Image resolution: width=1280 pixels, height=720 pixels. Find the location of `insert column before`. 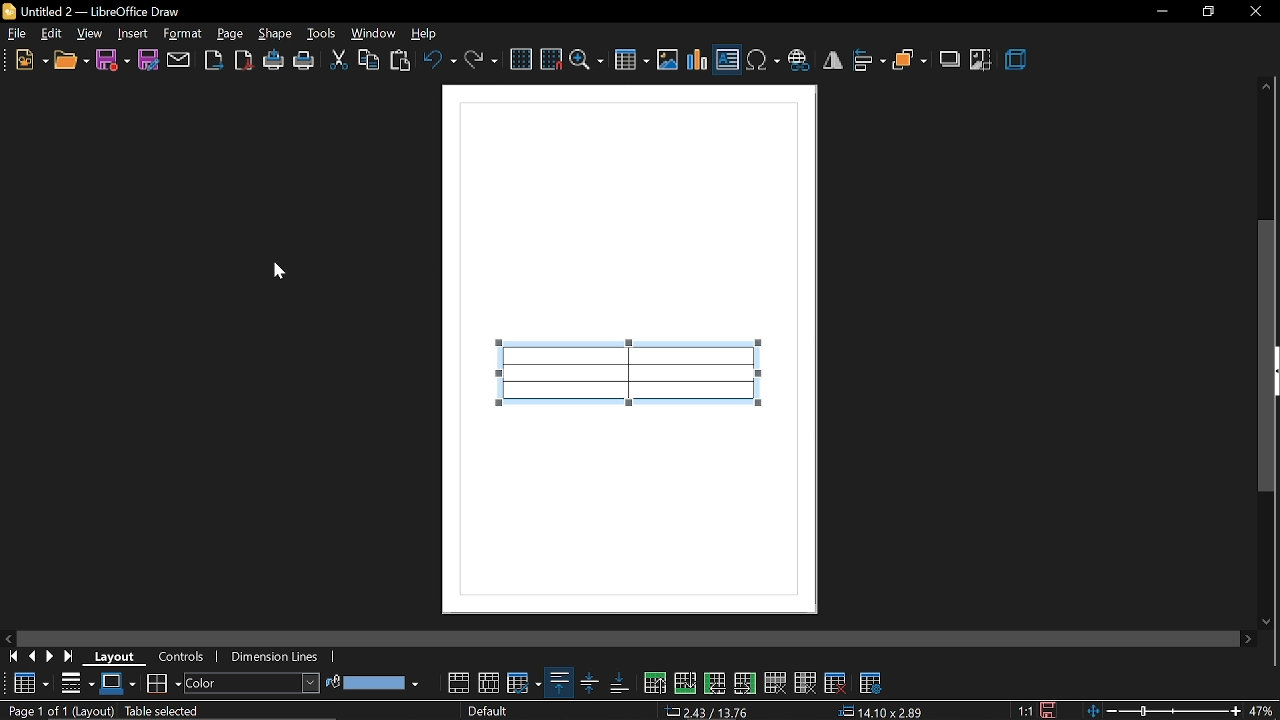

insert column before is located at coordinates (717, 685).